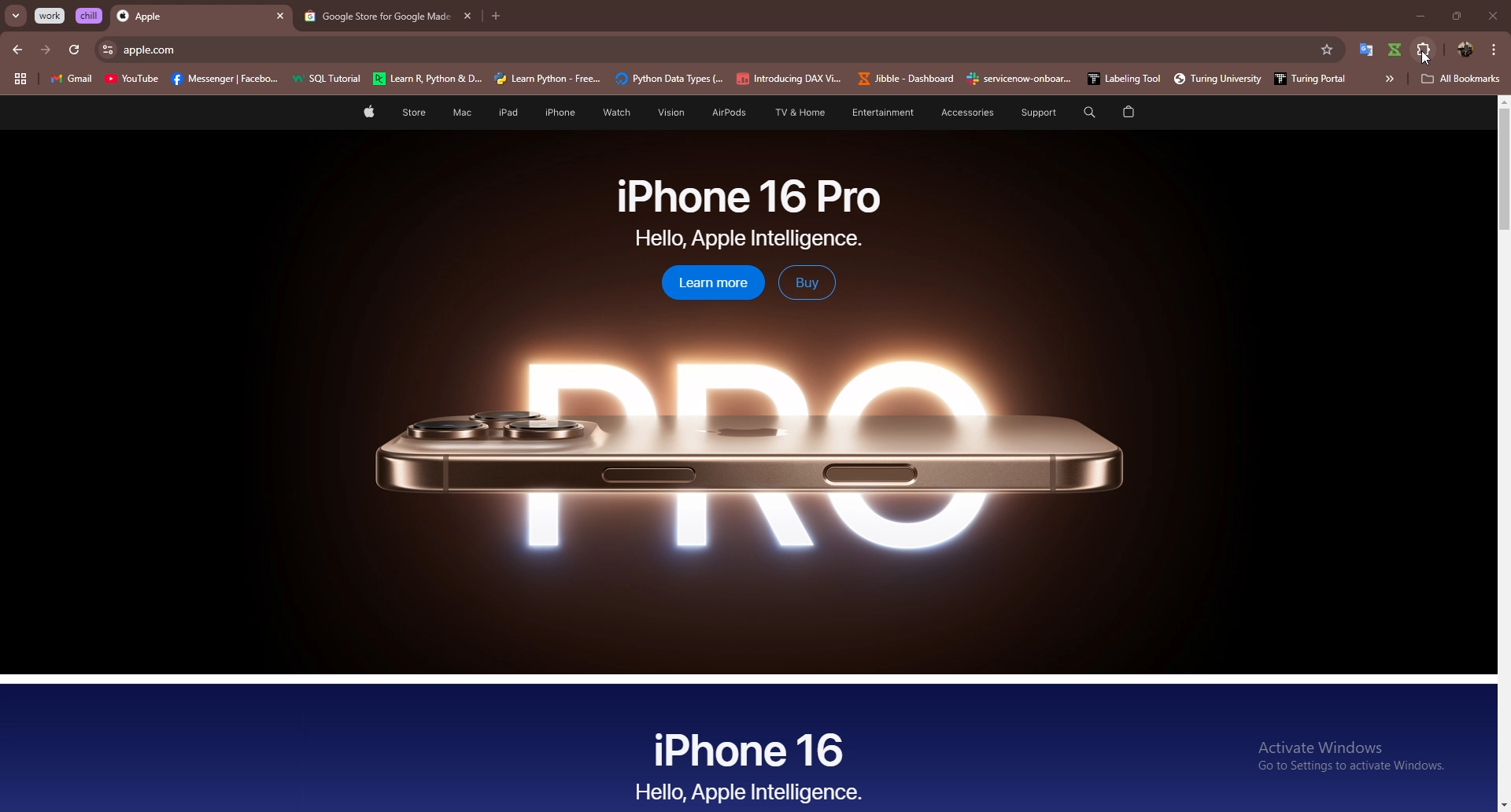 This screenshot has height=812, width=1511. What do you see at coordinates (106, 50) in the screenshot?
I see `site settings` at bounding box center [106, 50].